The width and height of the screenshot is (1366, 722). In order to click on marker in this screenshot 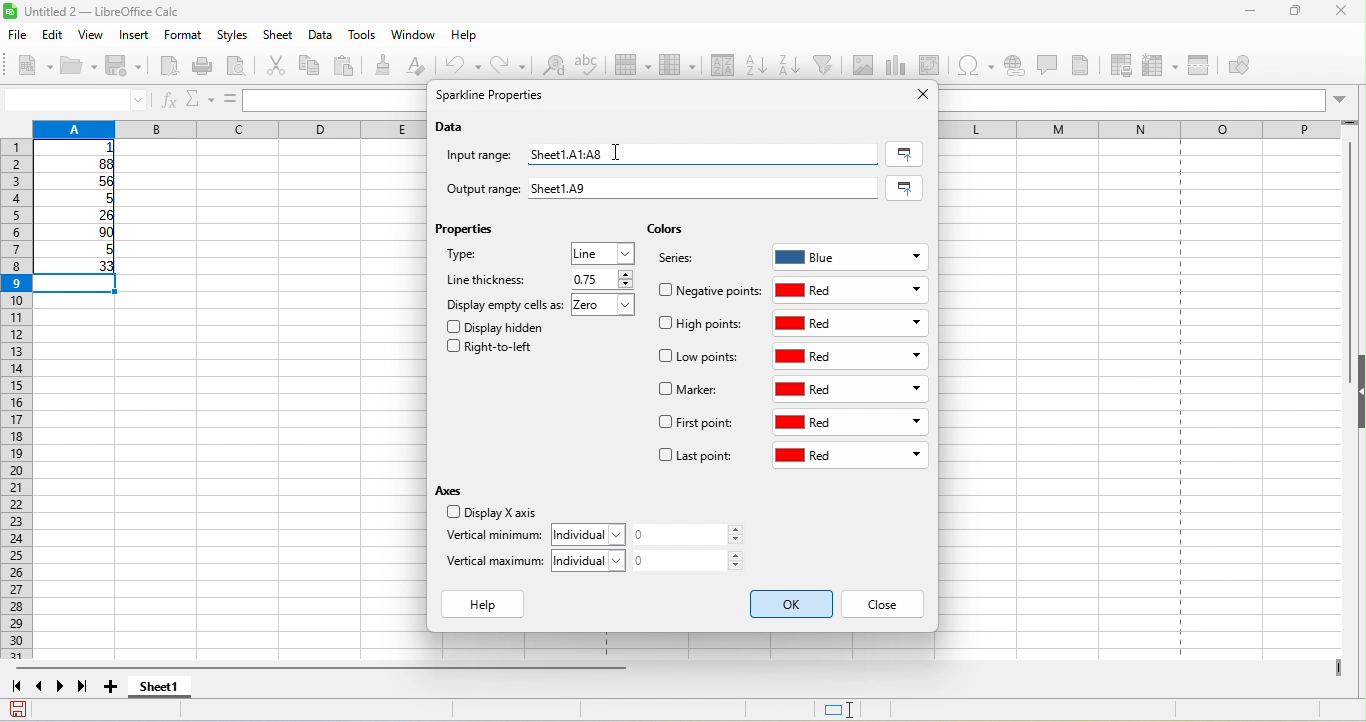, I will do `click(692, 391)`.